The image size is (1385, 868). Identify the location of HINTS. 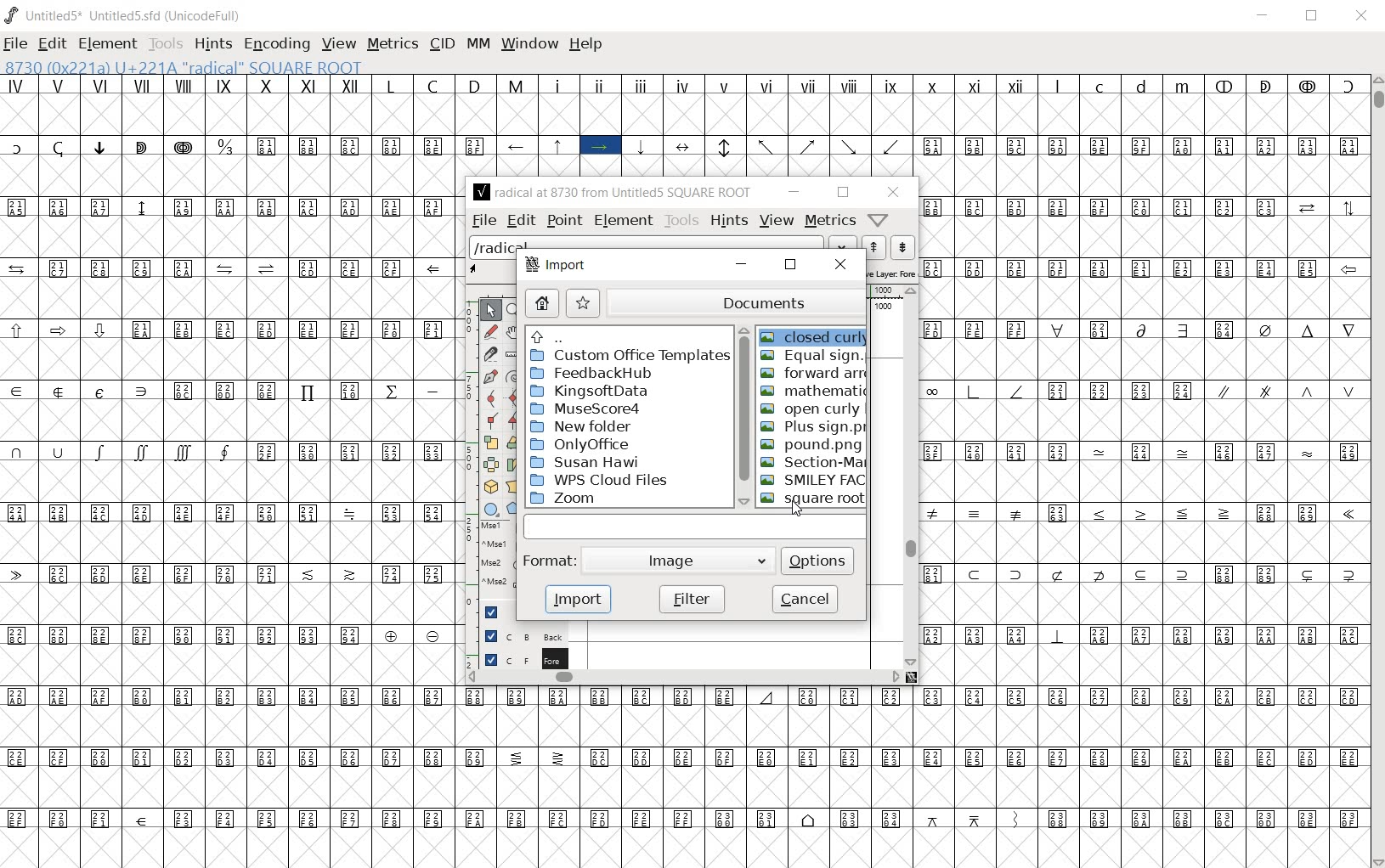
(212, 45).